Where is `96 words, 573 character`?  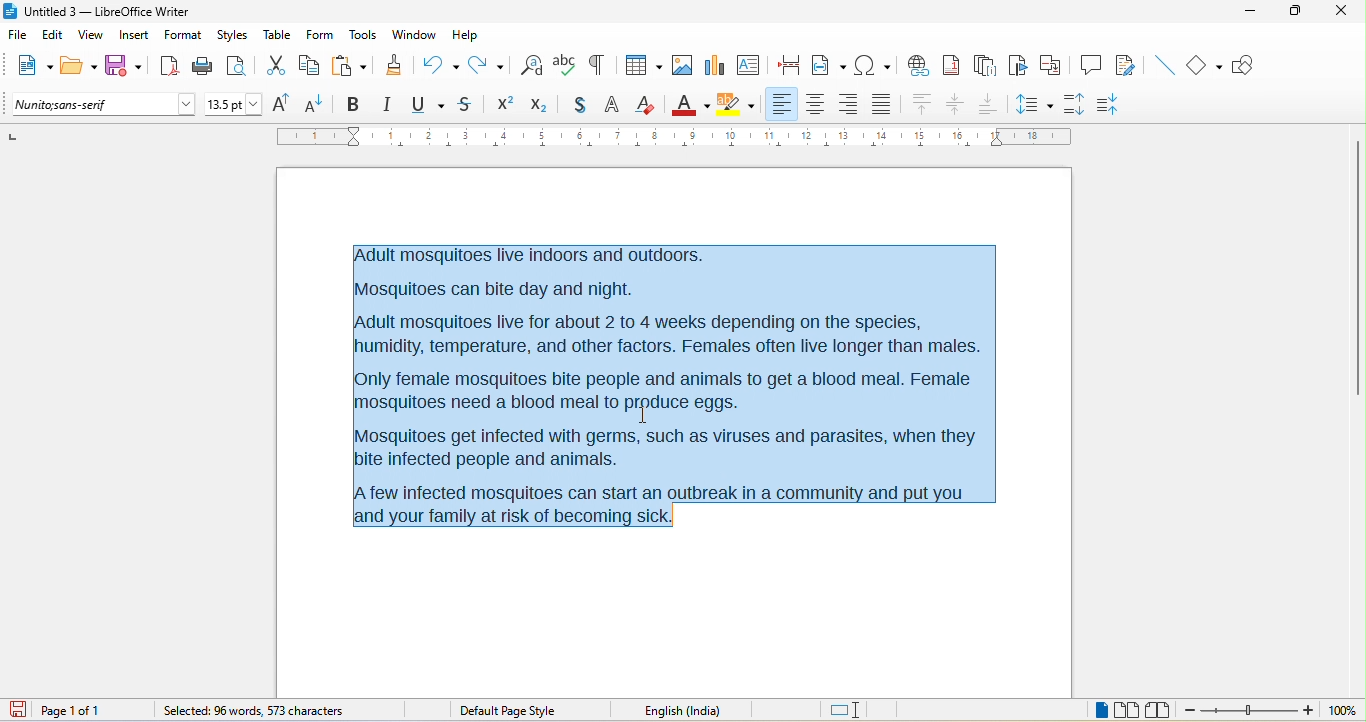 96 words, 573 character is located at coordinates (252, 712).